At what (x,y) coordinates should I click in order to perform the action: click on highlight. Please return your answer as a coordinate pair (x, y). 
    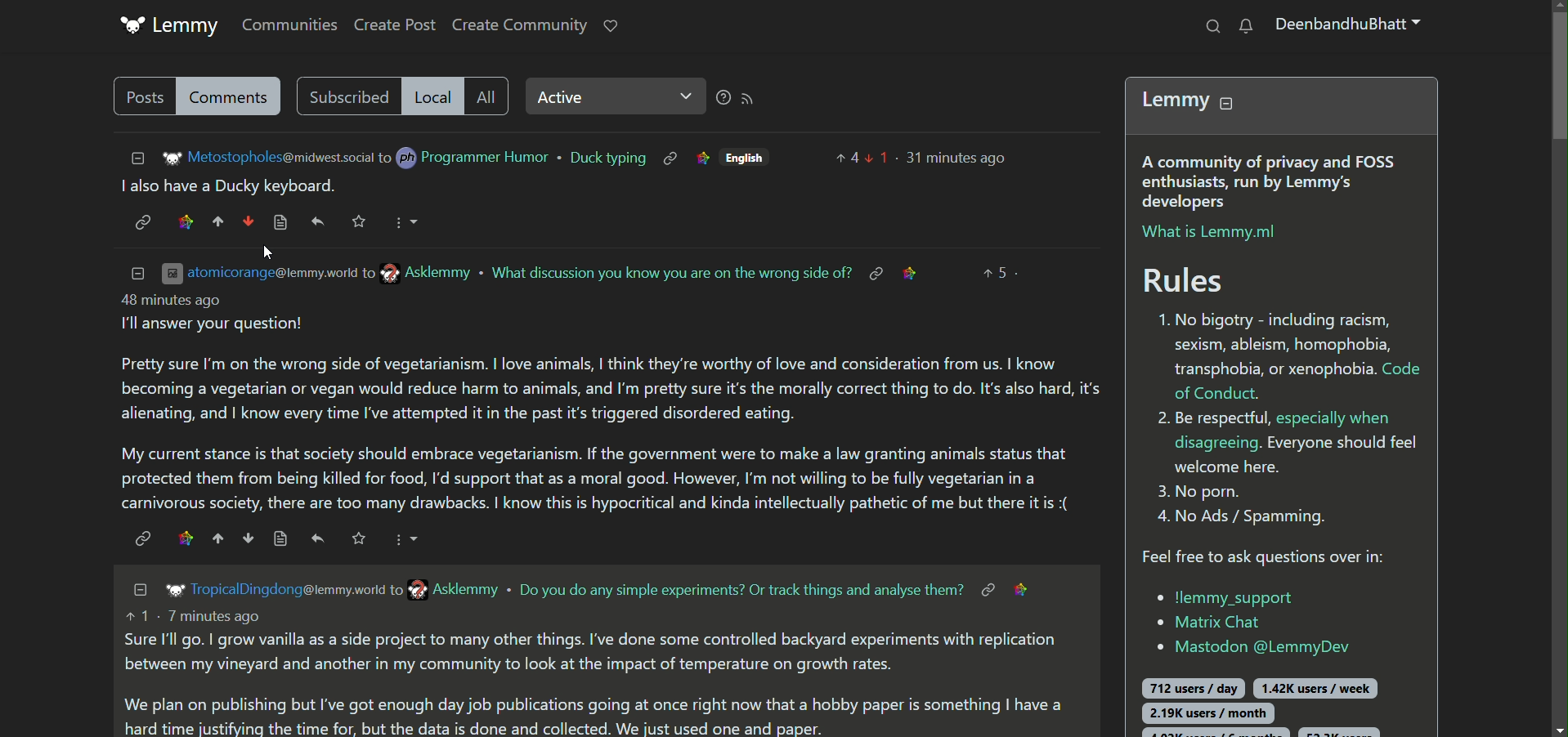
    Looking at the image, I should click on (183, 538).